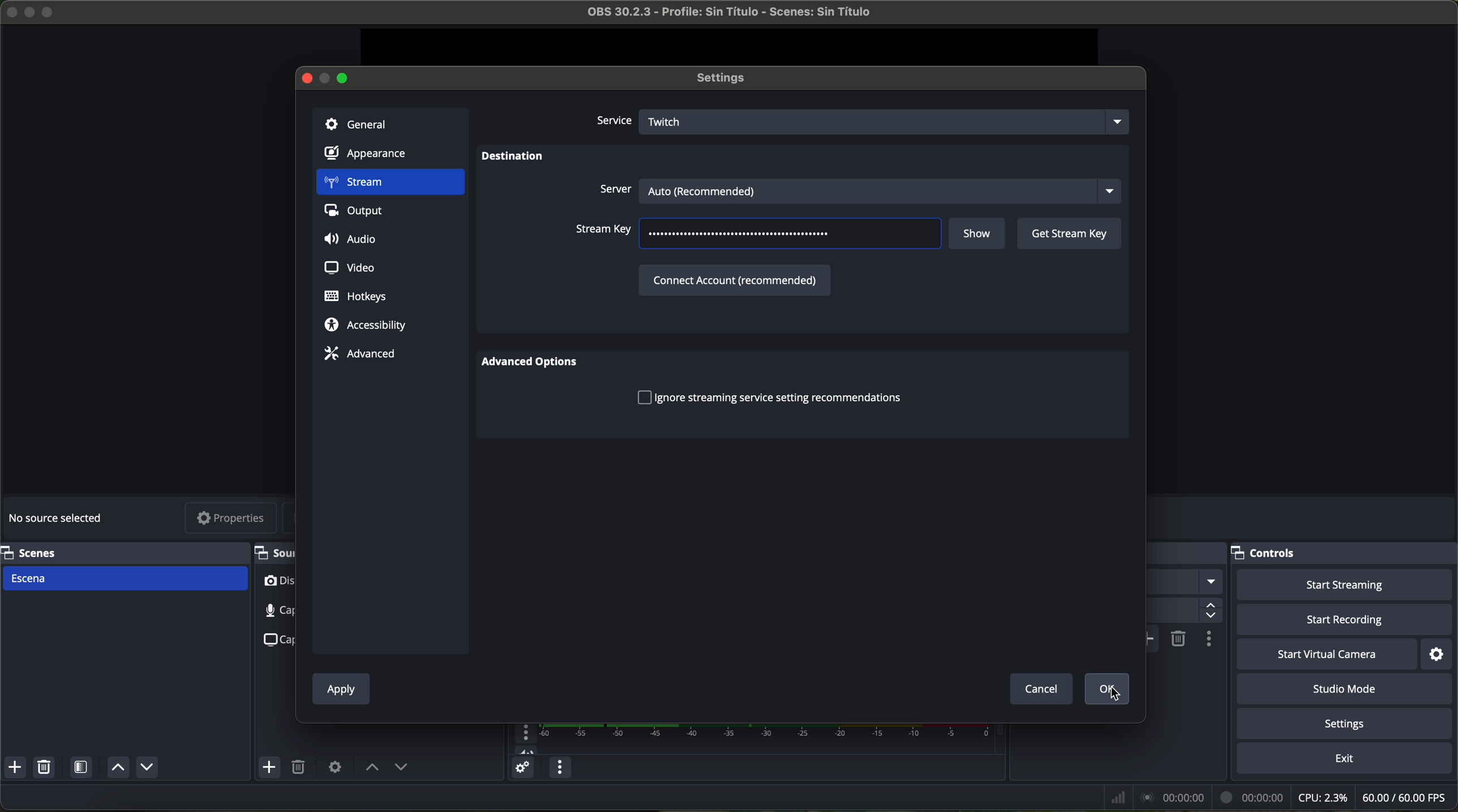 This screenshot has height=812, width=1458. What do you see at coordinates (612, 122) in the screenshot?
I see `service` at bounding box center [612, 122].